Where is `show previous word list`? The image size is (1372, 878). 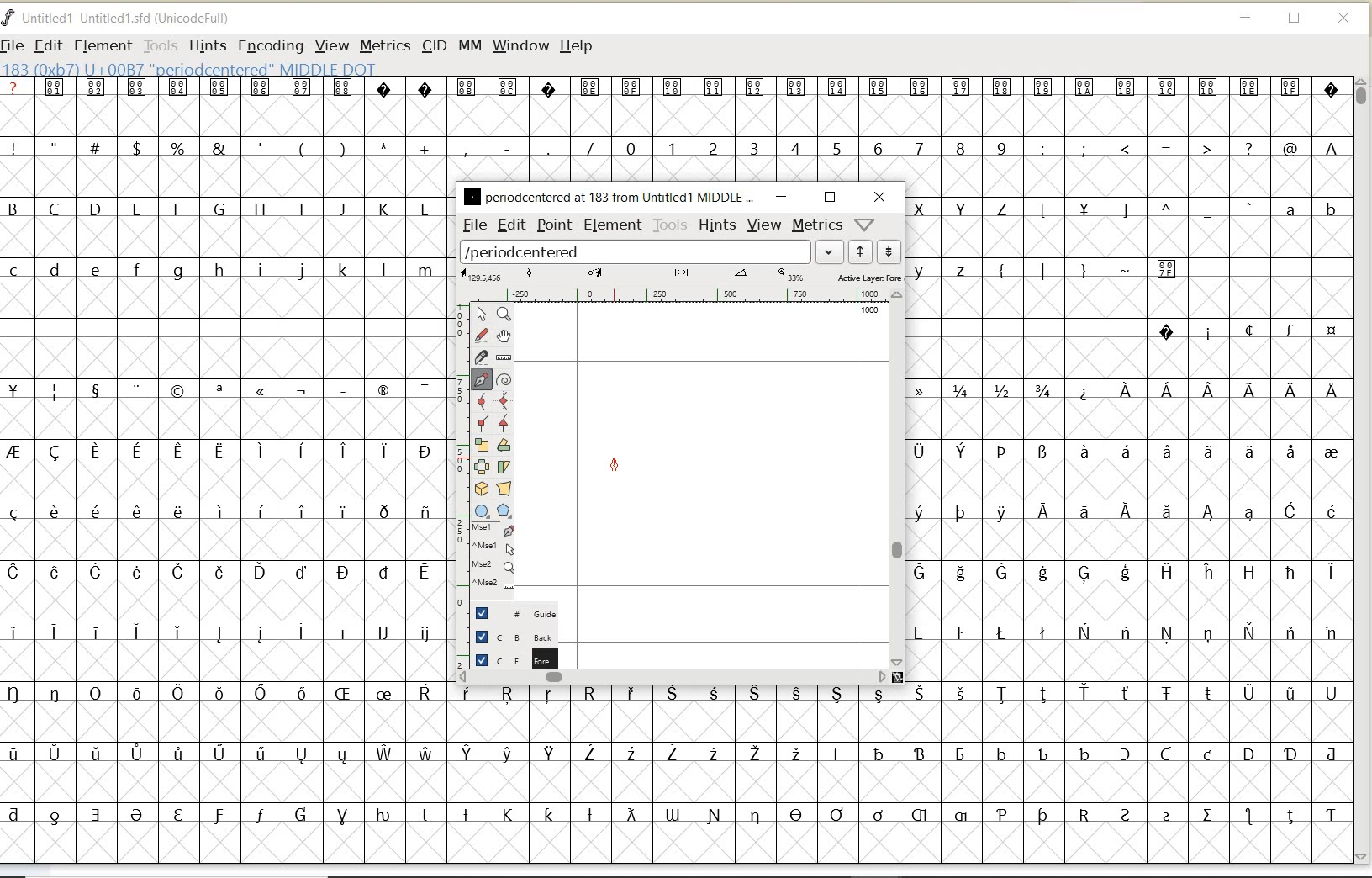 show previous word list is located at coordinates (862, 252).